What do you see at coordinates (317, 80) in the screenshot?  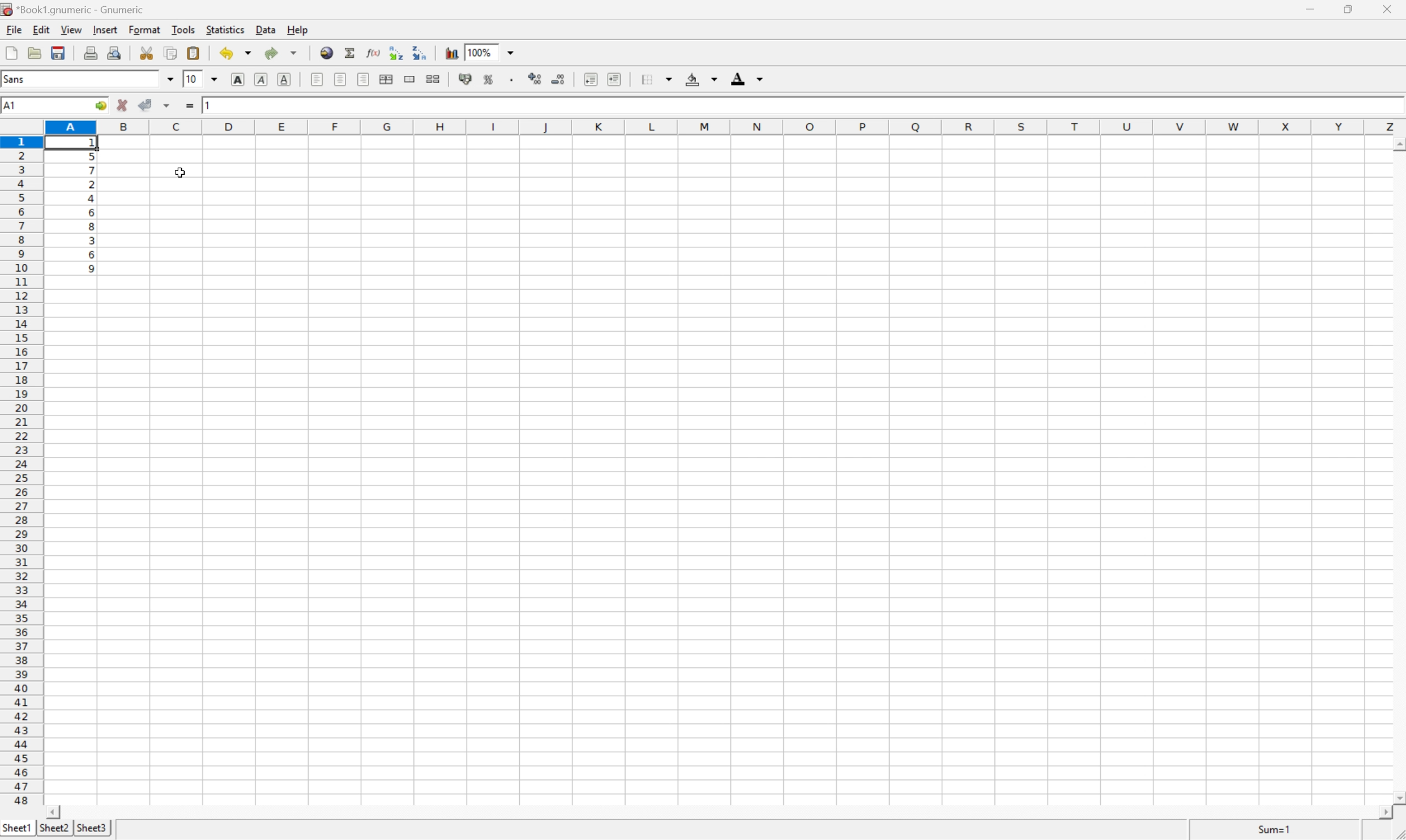 I see `align left` at bounding box center [317, 80].